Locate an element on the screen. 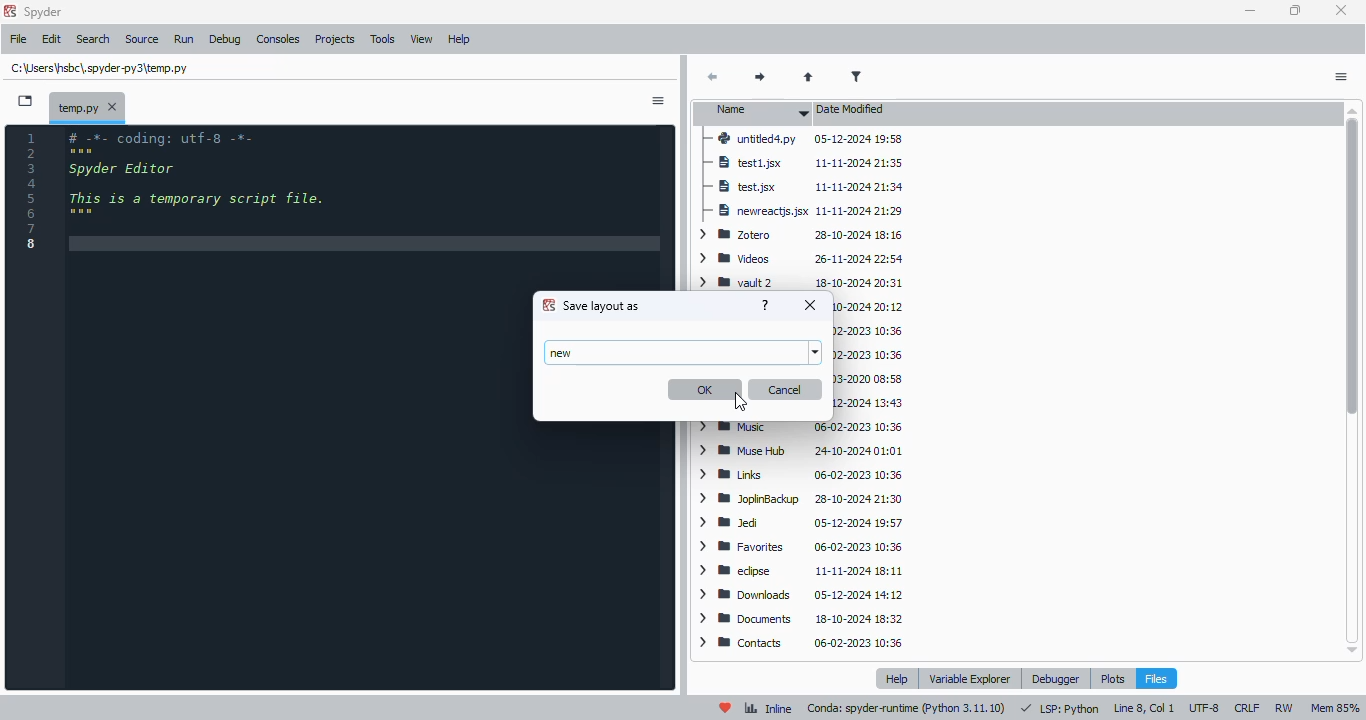 This screenshot has width=1366, height=720. vault 2 is located at coordinates (801, 281).